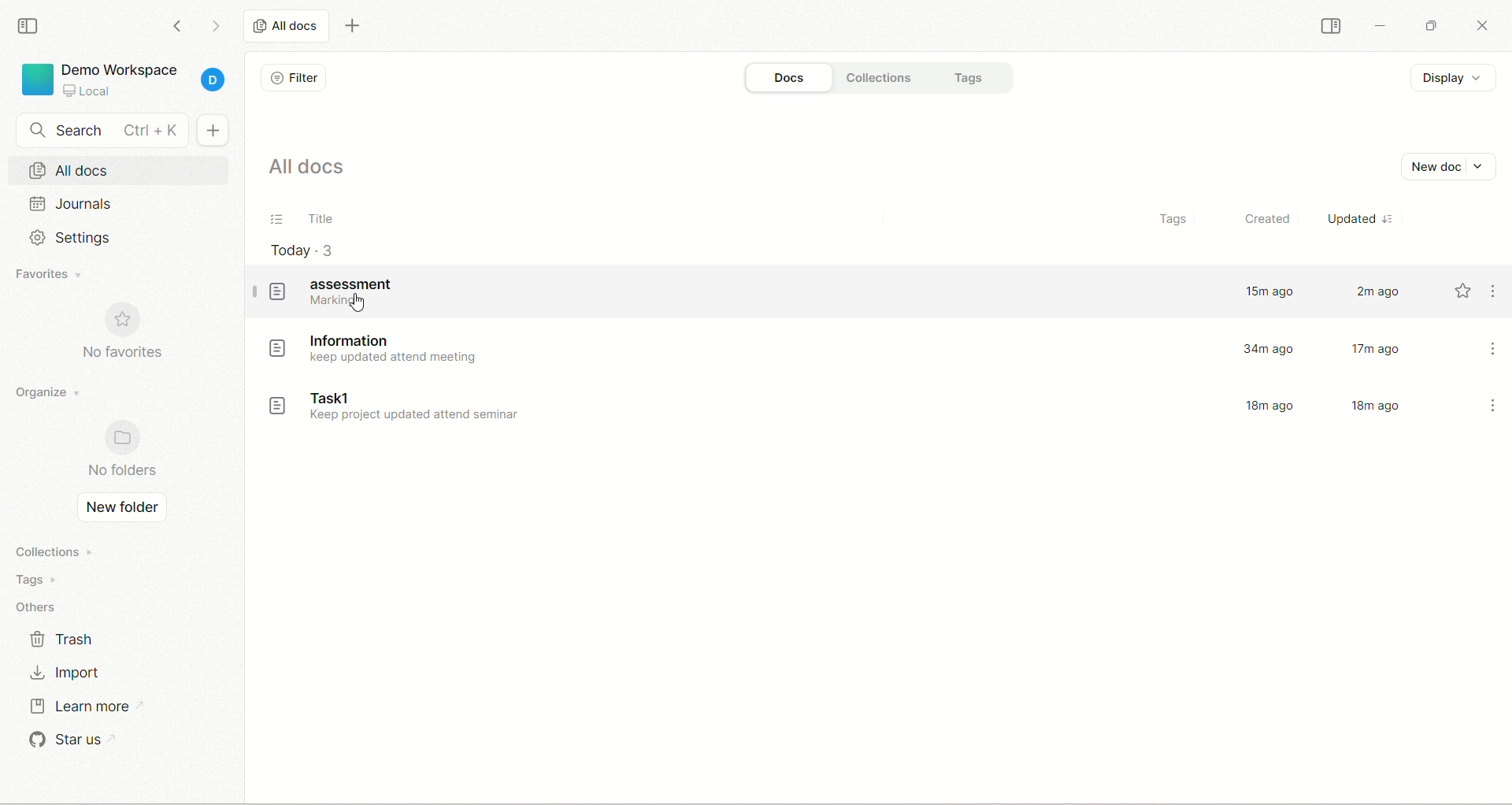 Image resolution: width=1512 pixels, height=805 pixels. I want to click on new document, so click(1451, 166).